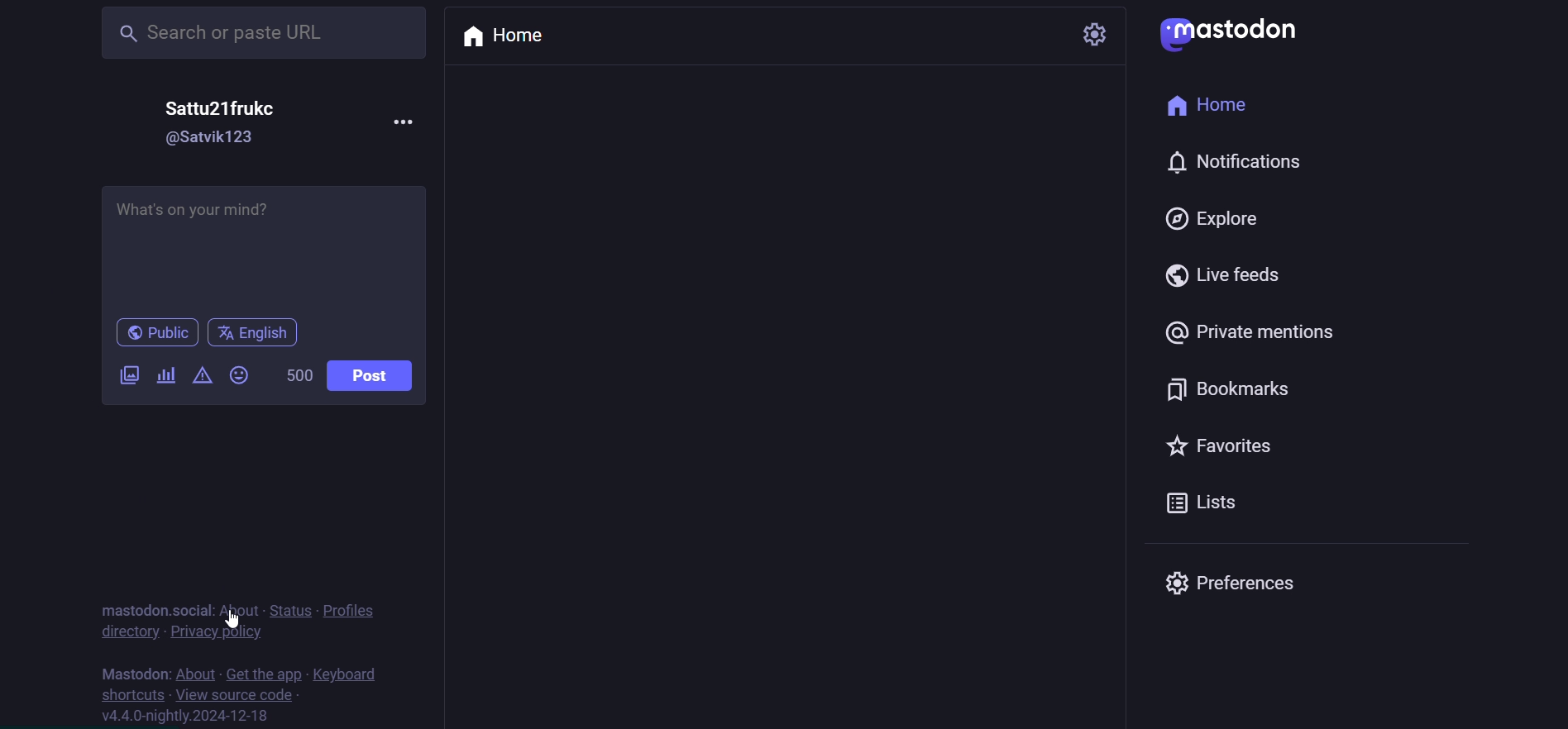 This screenshot has width=1568, height=729. I want to click on version, so click(188, 715).